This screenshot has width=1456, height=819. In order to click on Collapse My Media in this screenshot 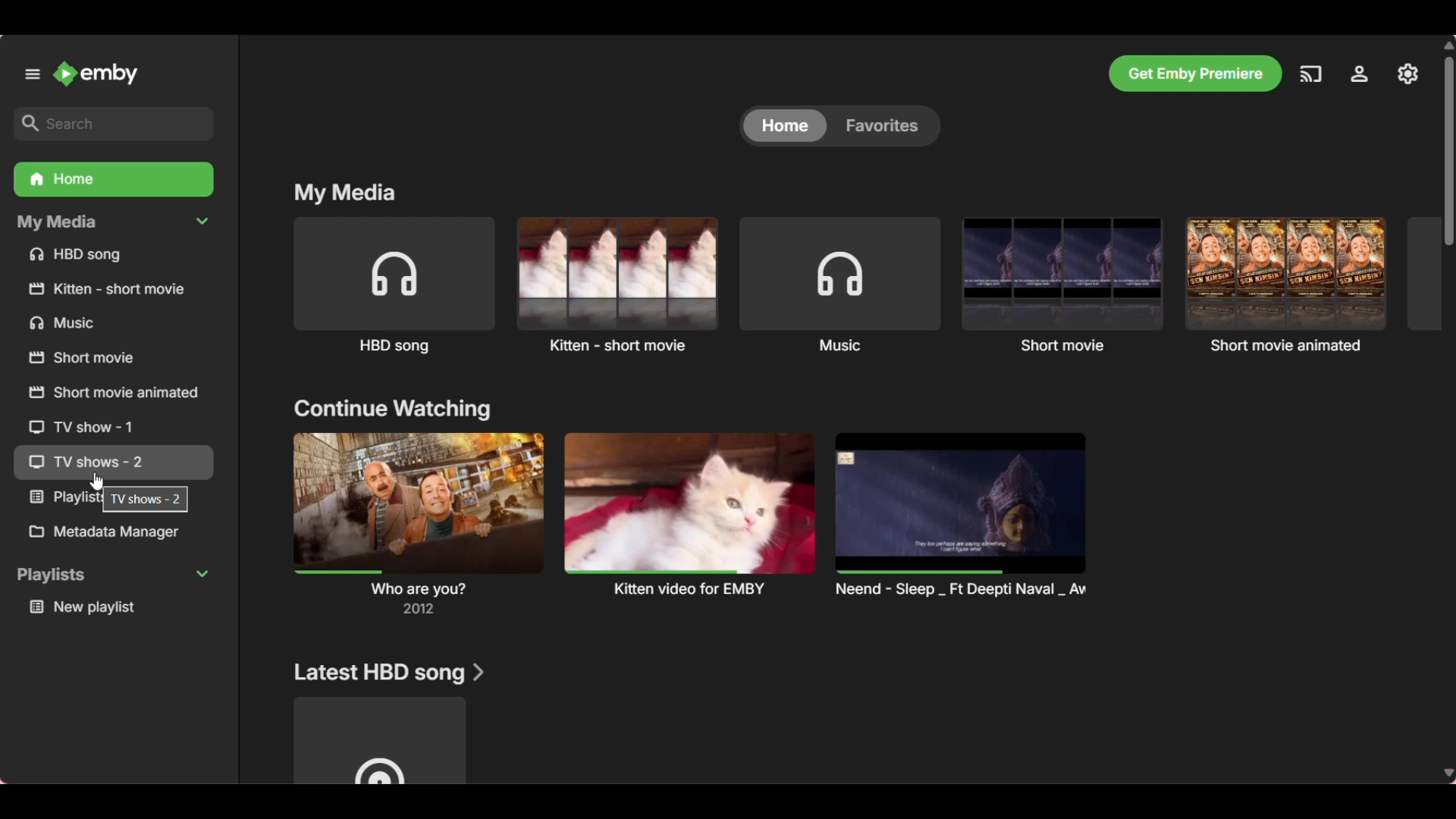, I will do `click(112, 223)`.